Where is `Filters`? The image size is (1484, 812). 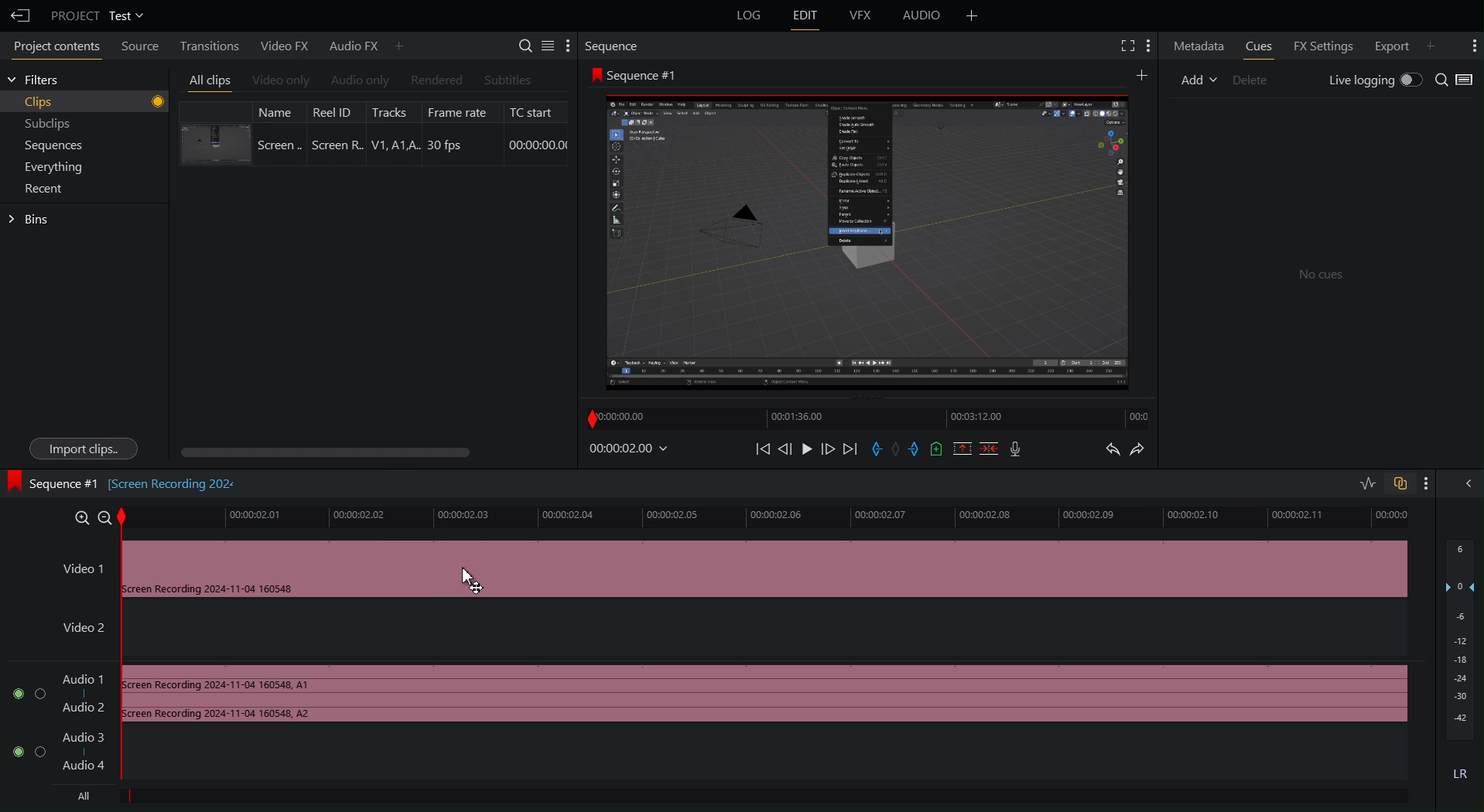 Filters is located at coordinates (39, 82).